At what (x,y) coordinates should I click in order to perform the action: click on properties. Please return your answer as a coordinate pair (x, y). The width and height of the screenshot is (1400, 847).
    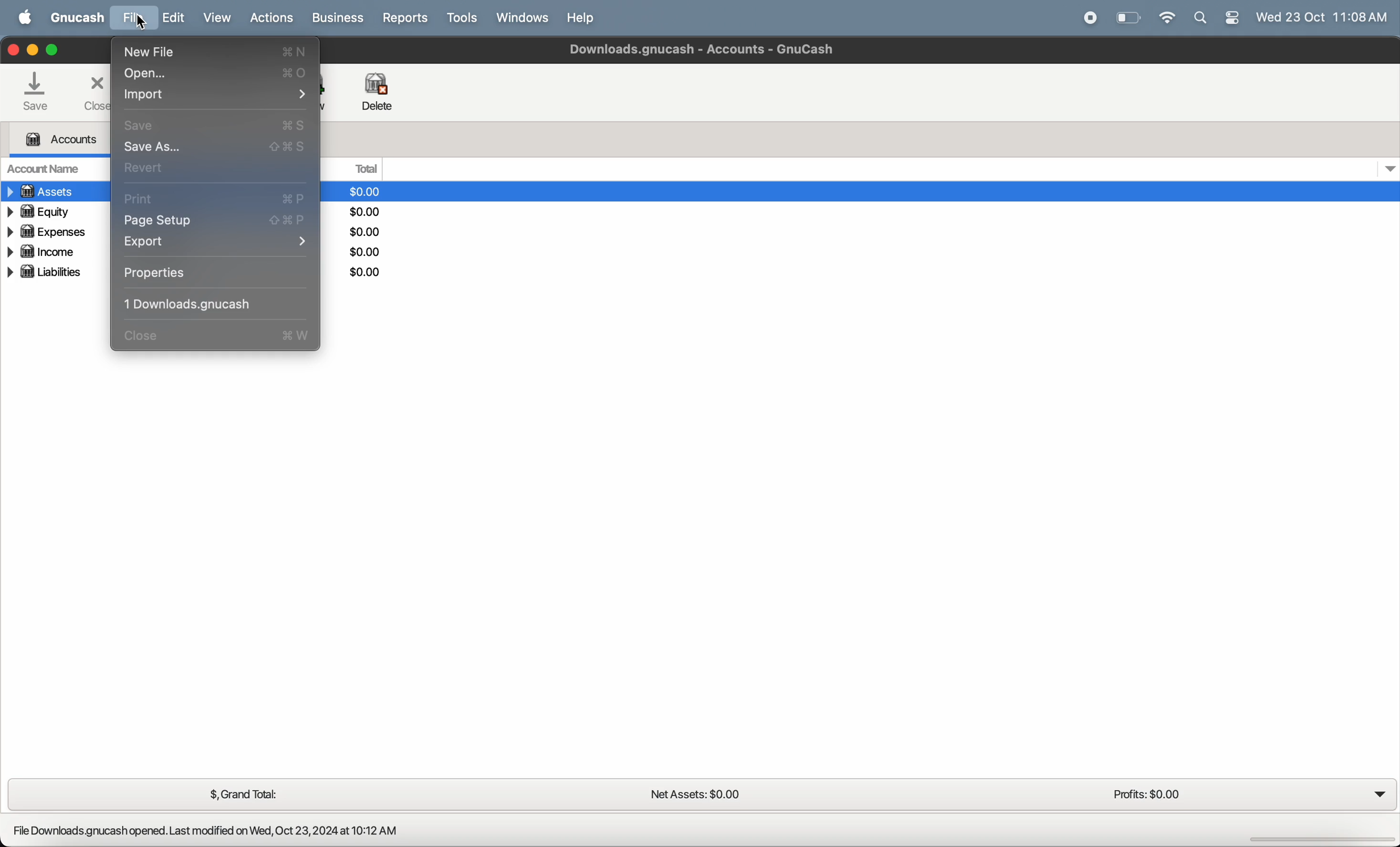
    Looking at the image, I should click on (217, 273).